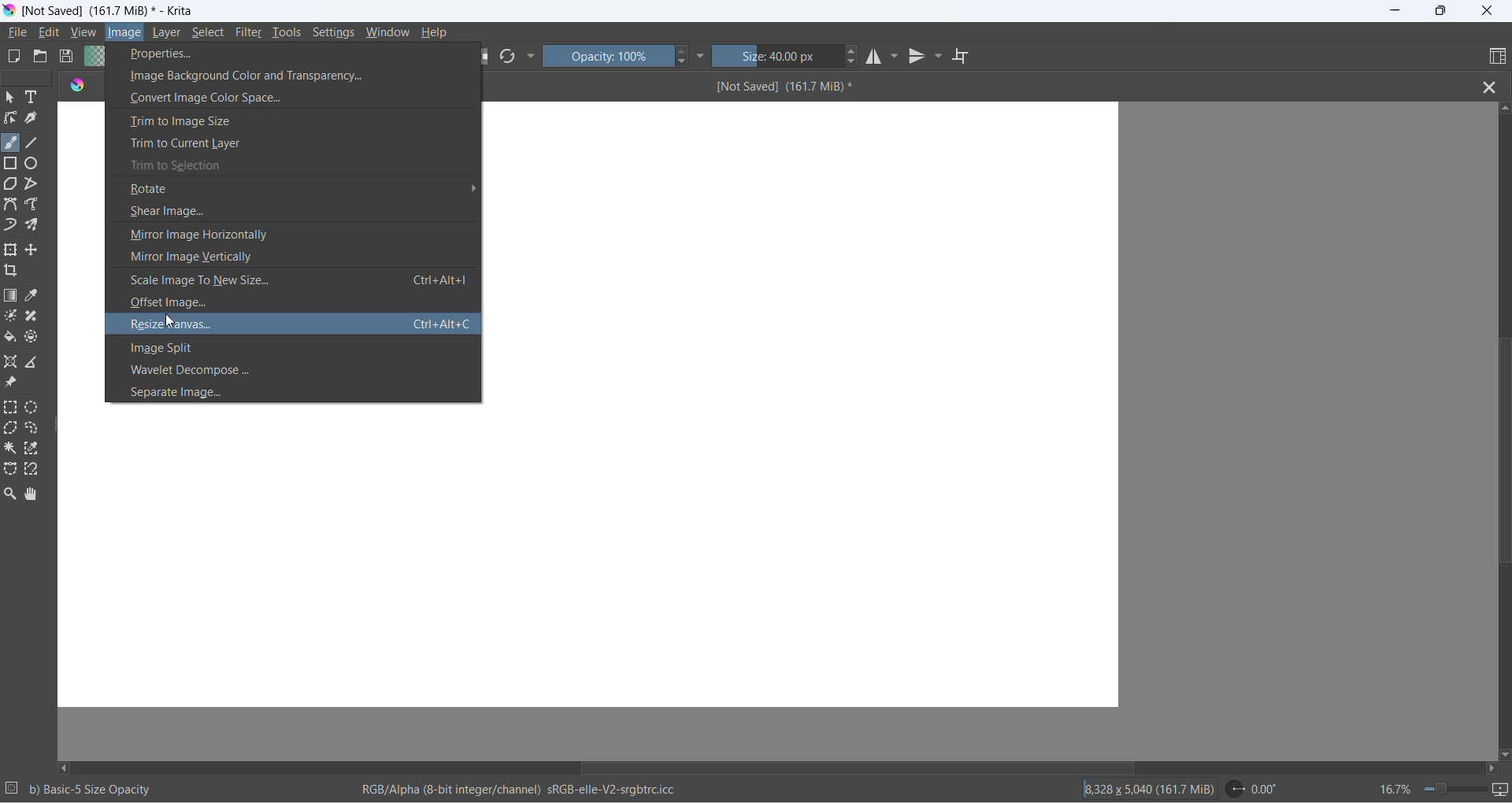  Describe the element at coordinates (291, 282) in the screenshot. I see `scale image to new size` at that location.